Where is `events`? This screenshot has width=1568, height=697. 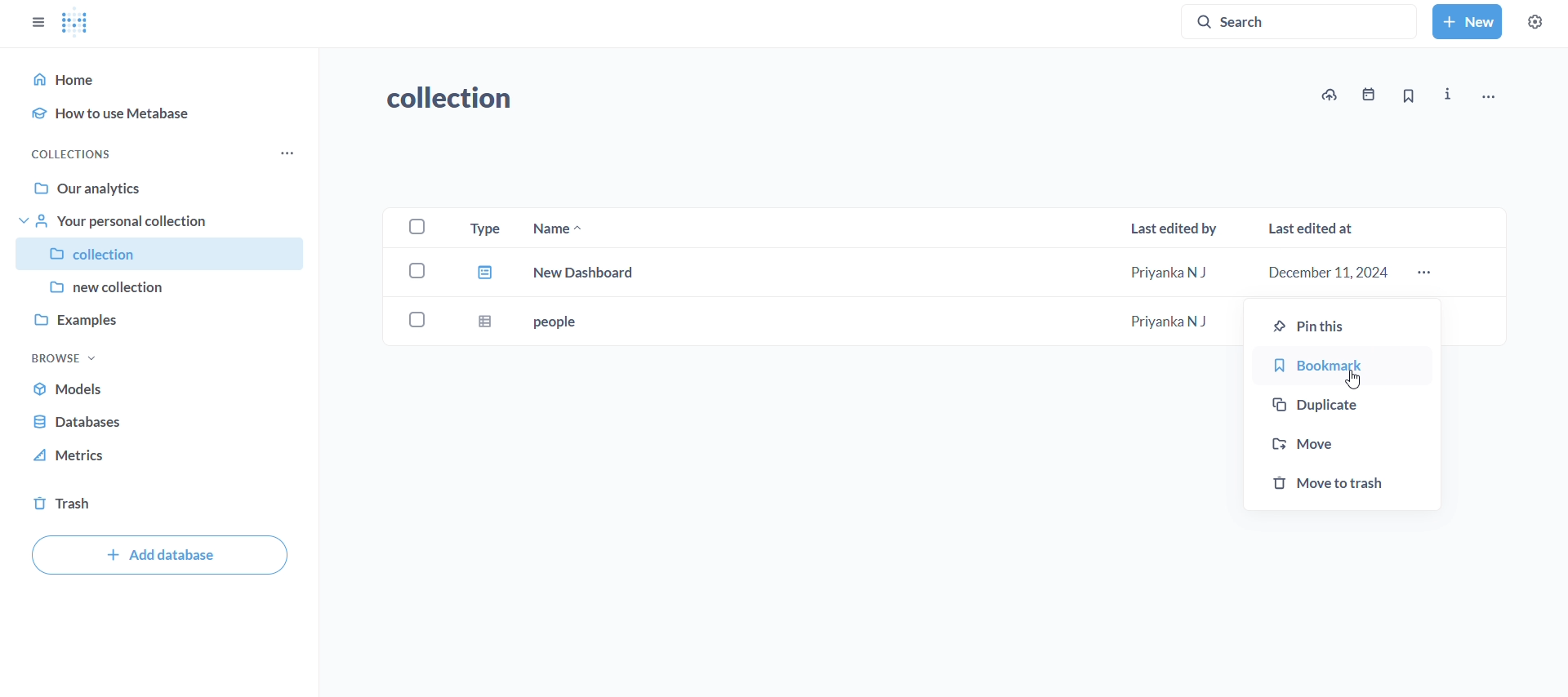 events is located at coordinates (1367, 95).